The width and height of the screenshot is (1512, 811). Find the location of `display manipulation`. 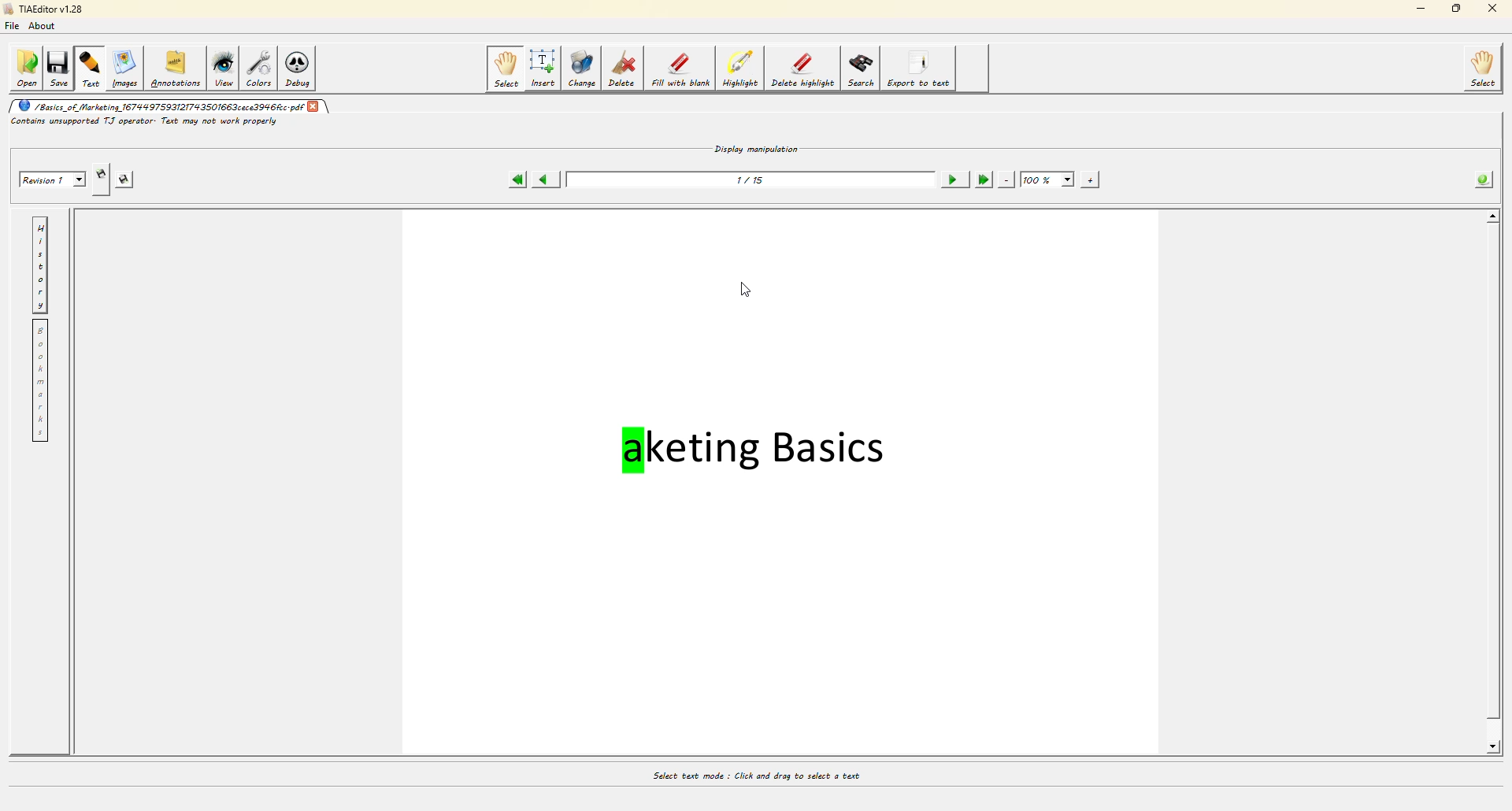

display manipulation is located at coordinates (755, 150).